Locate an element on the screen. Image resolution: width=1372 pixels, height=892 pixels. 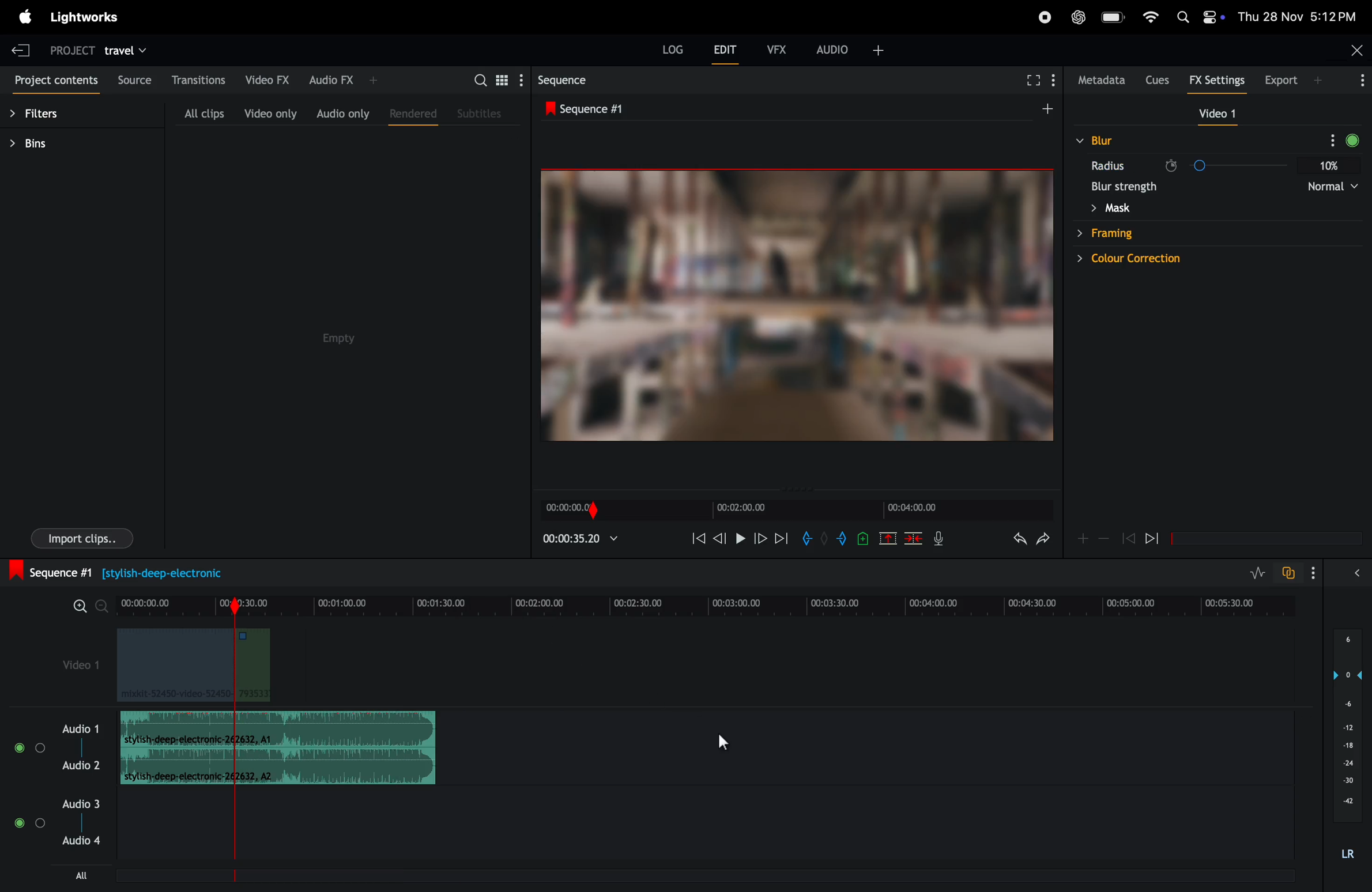
add in mark is located at coordinates (809, 539).